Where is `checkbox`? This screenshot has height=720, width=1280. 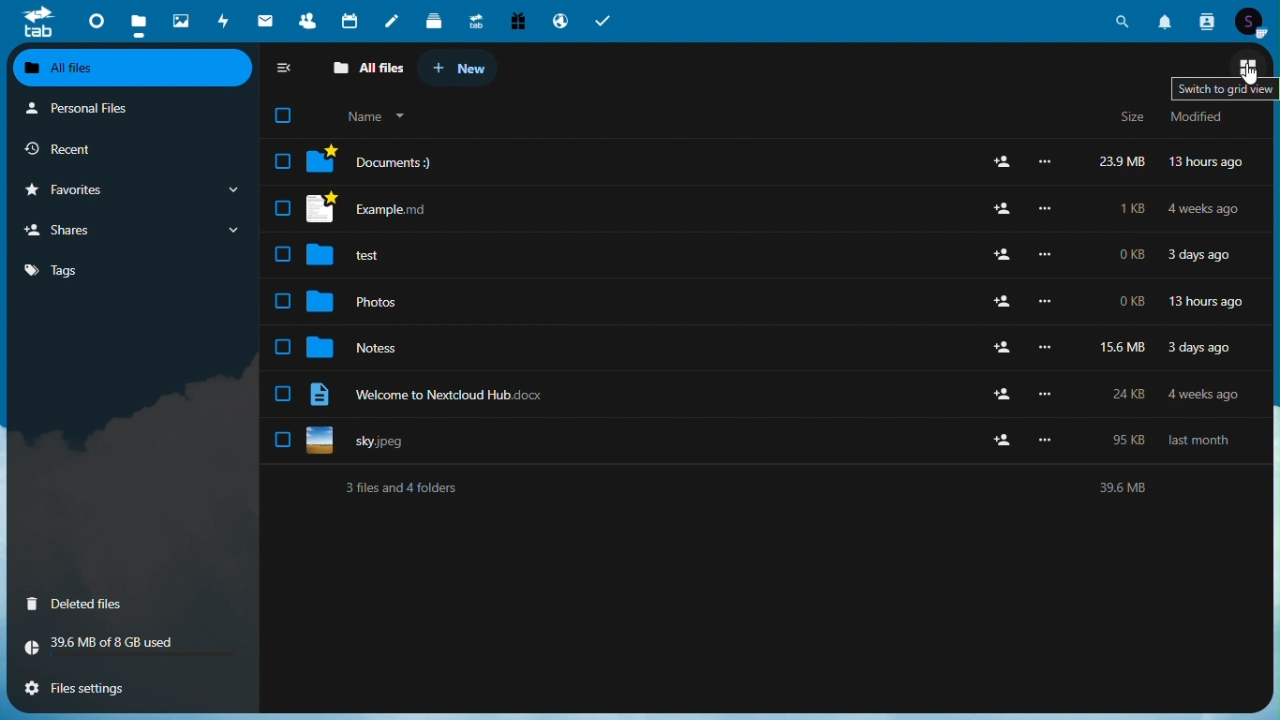 checkbox is located at coordinates (280, 208).